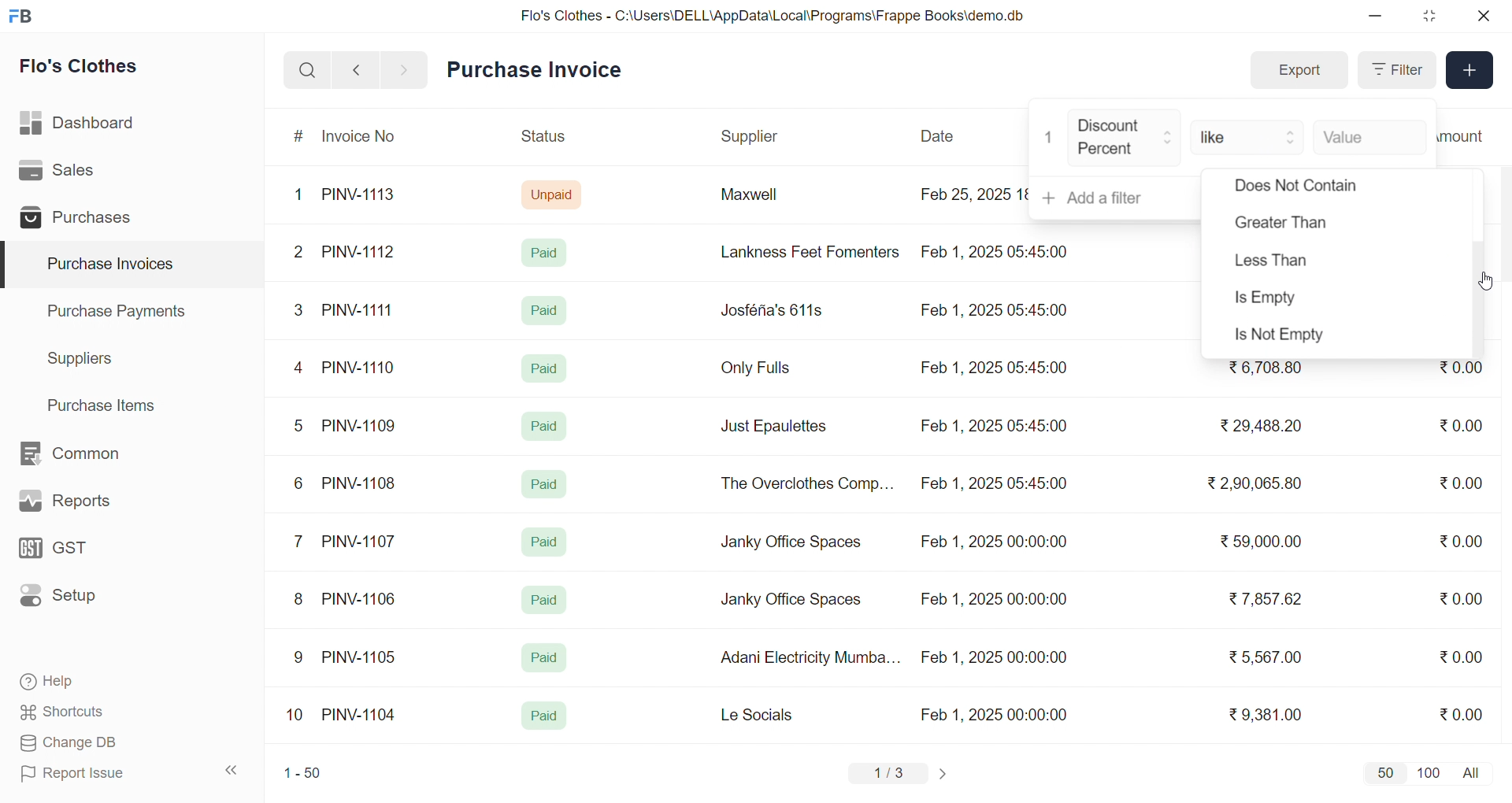 This screenshot has height=803, width=1512. I want to click on GST, so click(82, 553).